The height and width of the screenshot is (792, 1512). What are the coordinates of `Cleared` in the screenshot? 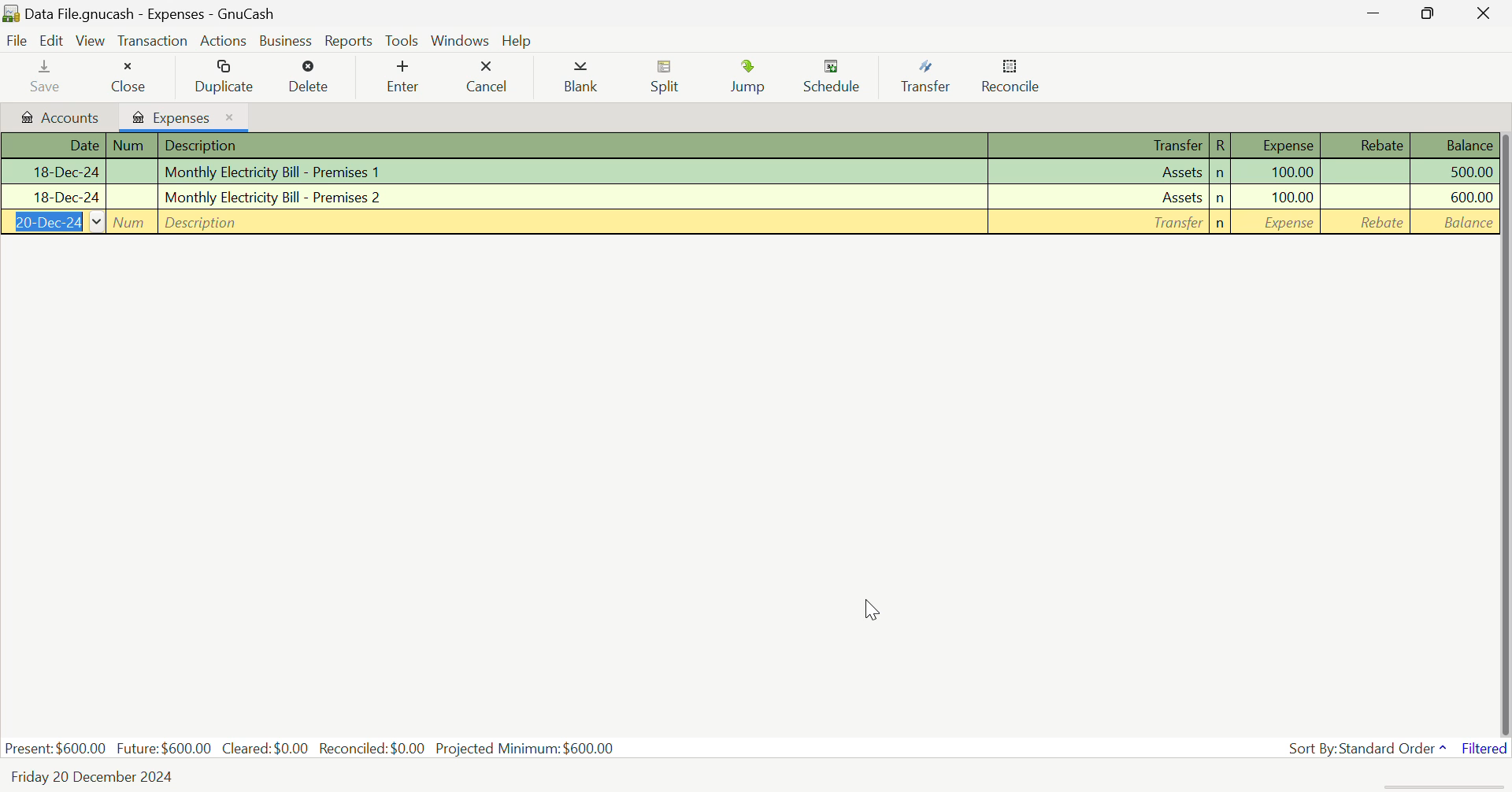 It's located at (265, 749).